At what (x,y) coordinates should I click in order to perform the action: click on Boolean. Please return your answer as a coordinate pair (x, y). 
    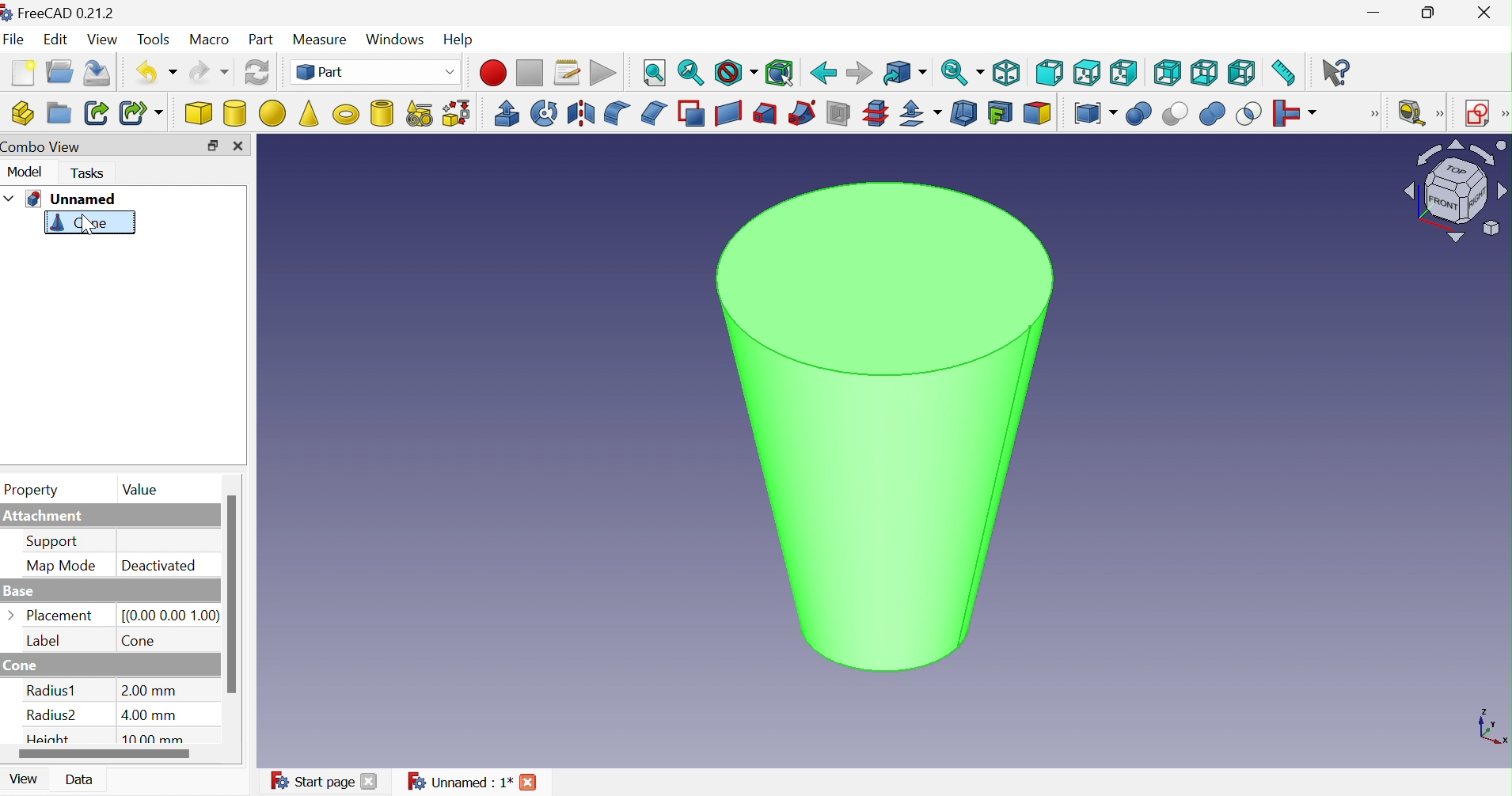
    Looking at the image, I should click on (1139, 116).